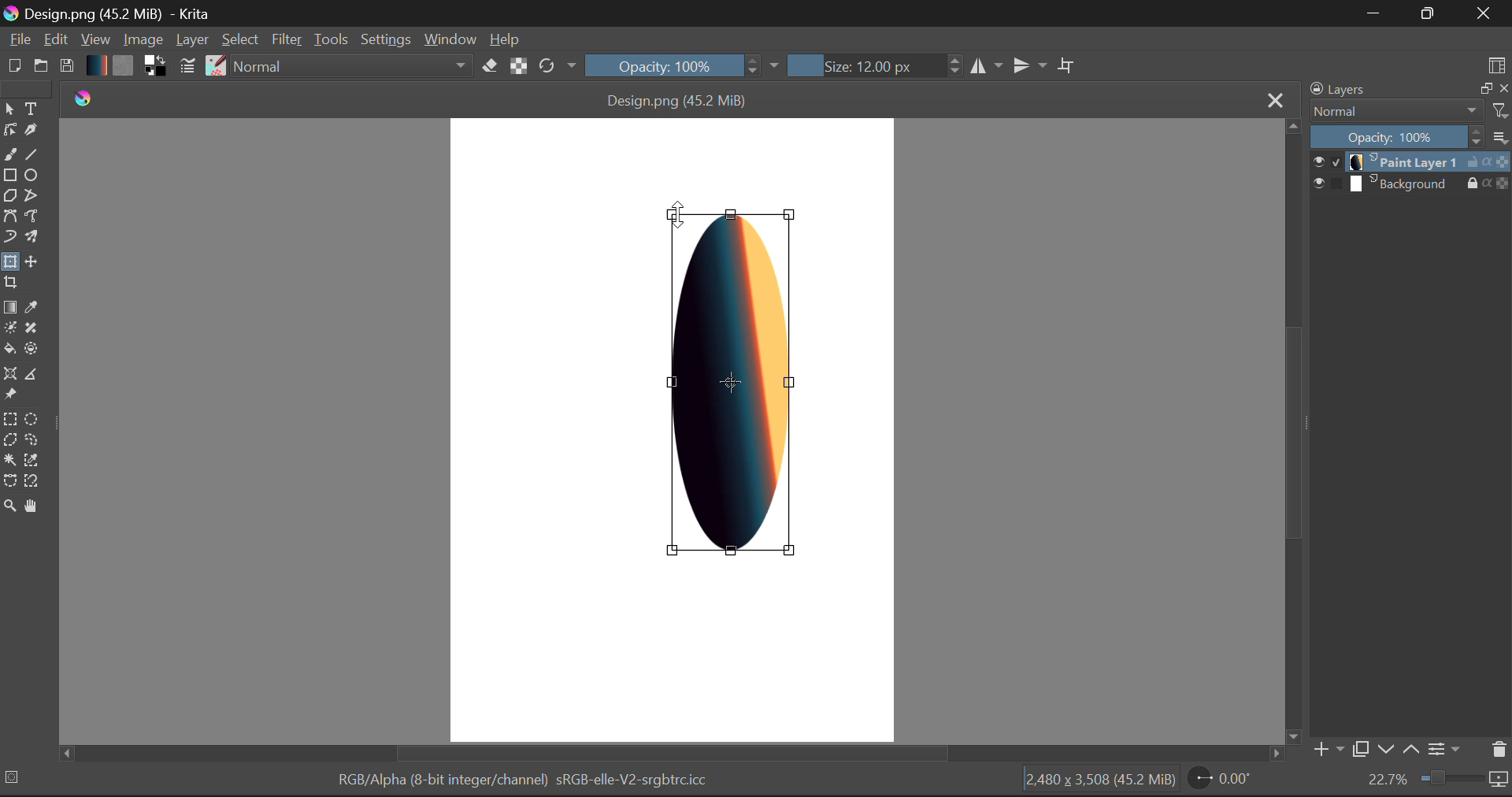  What do you see at coordinates (10, 154) in the screenshot?
I see `Freehand` at bounding box center [10, 154].